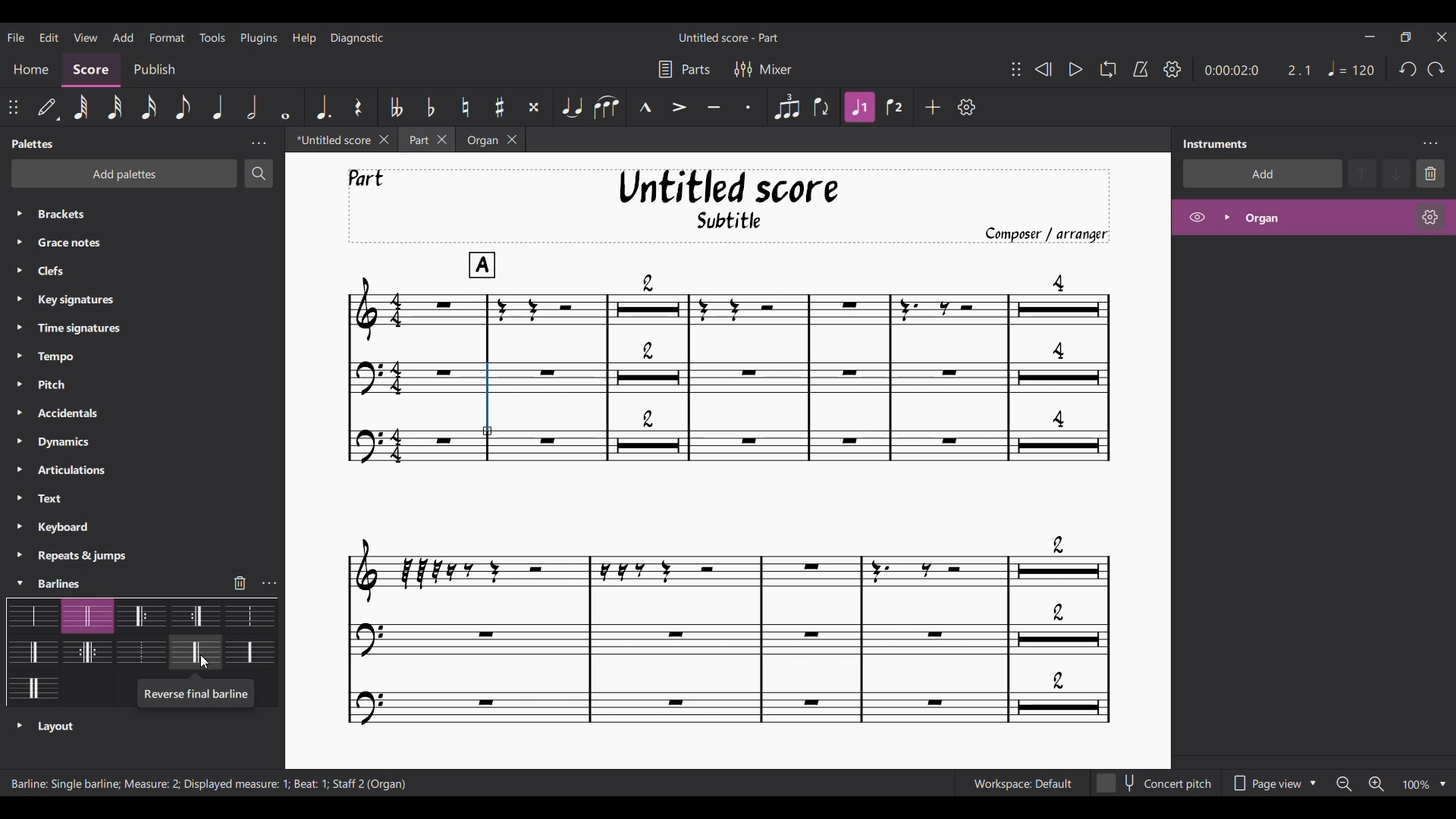 The image size is (1456, 819). Describe the element at coordinates (1442, 37) in the screenshot. I see `Close interface` at that location.